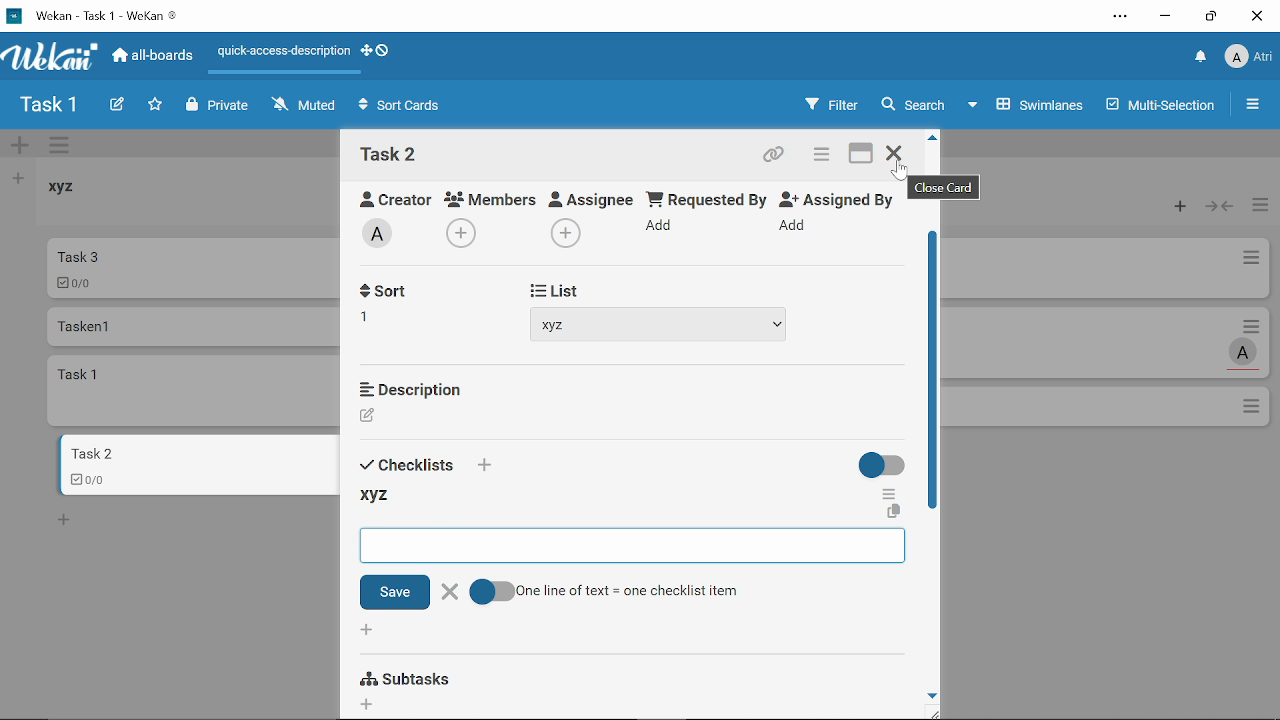 The image size is (1280, 720). What do you see at coordinates (20, 147) in the screenshot?
I see `Add swimlane` at bounding box center [20, 147].